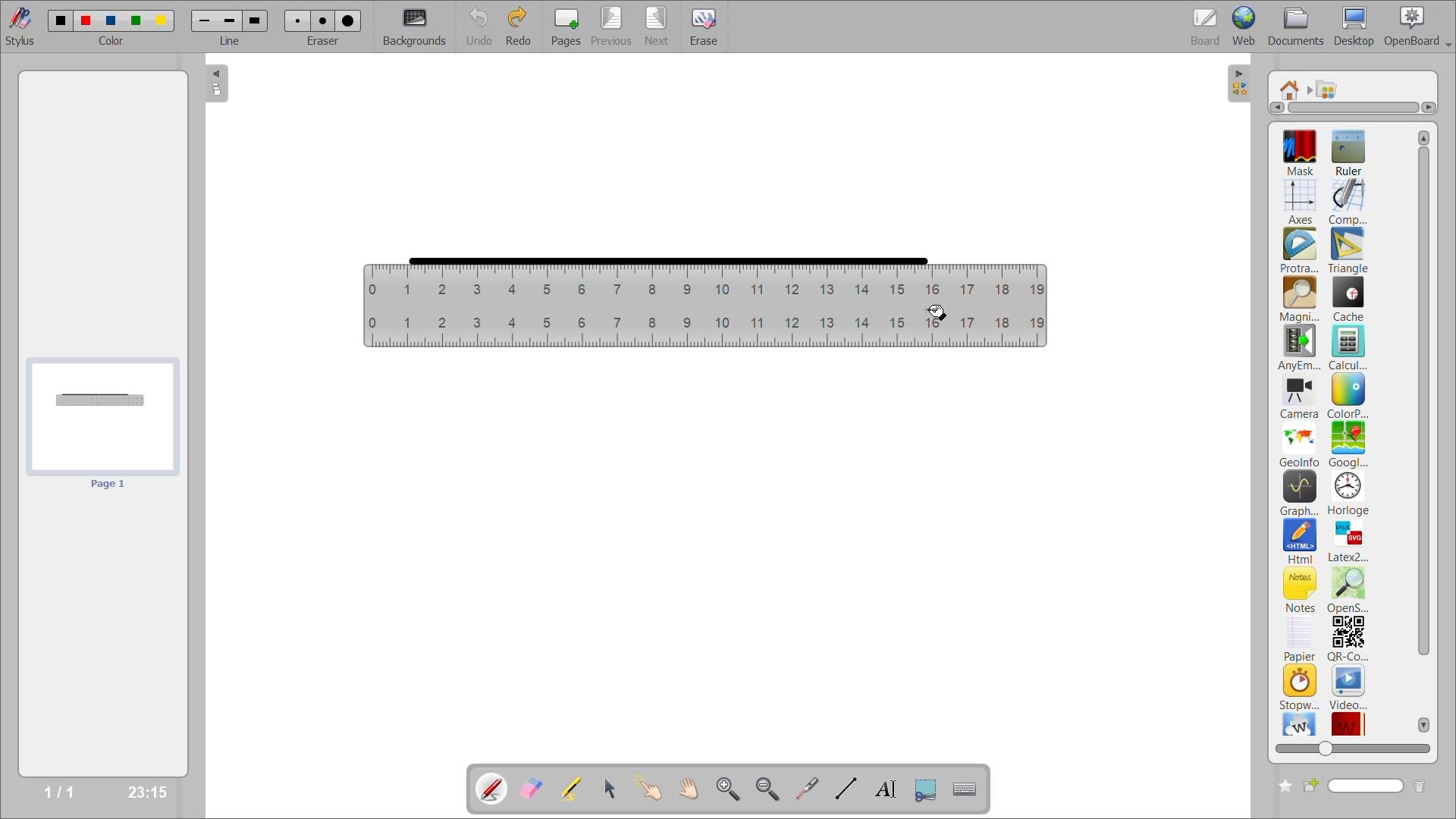  What do you see at coordinates (1301, 348) in the screenshot?
I see `anyembed` at bounding box center [1301, 348].